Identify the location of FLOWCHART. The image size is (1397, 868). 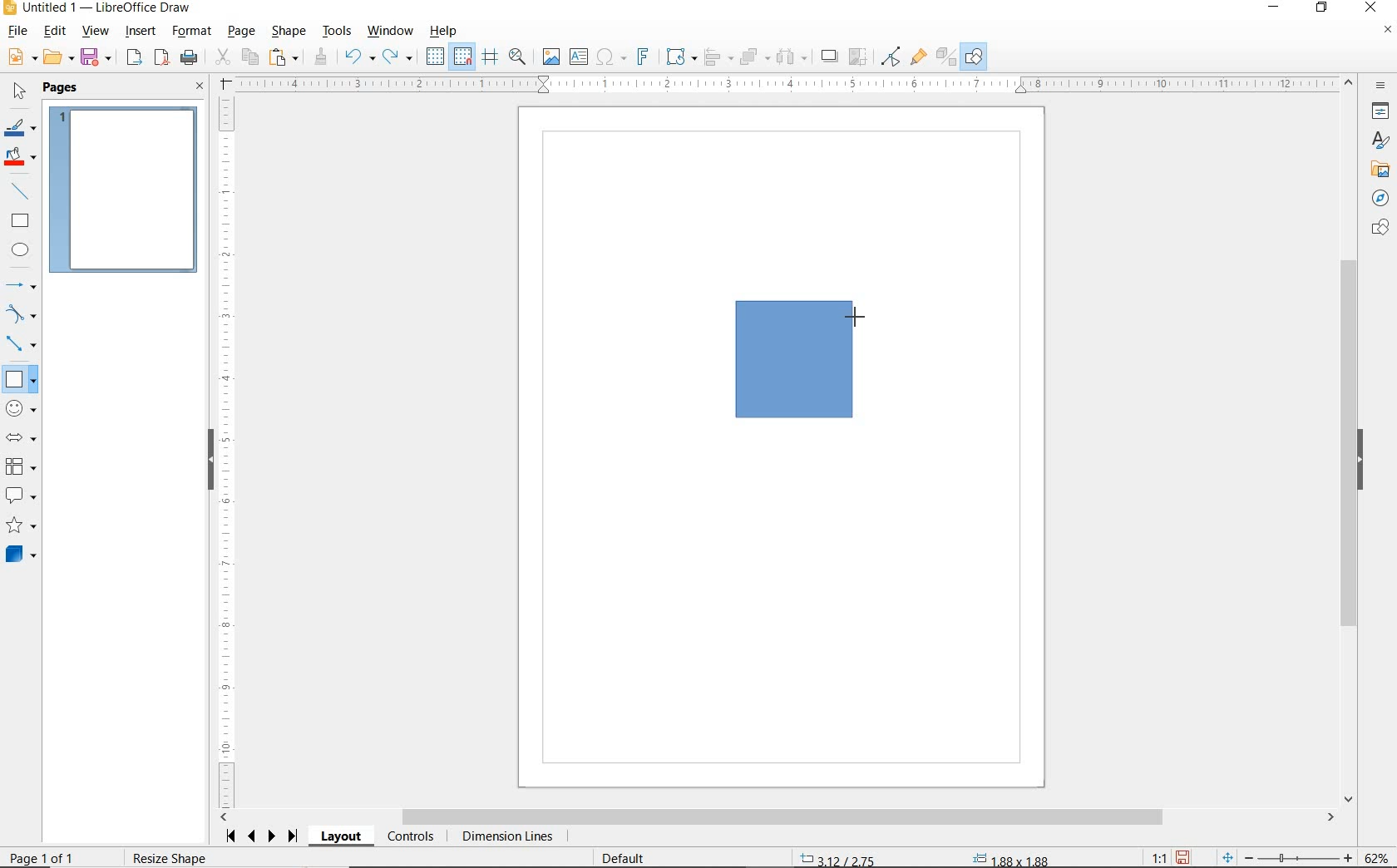
(24, 466).